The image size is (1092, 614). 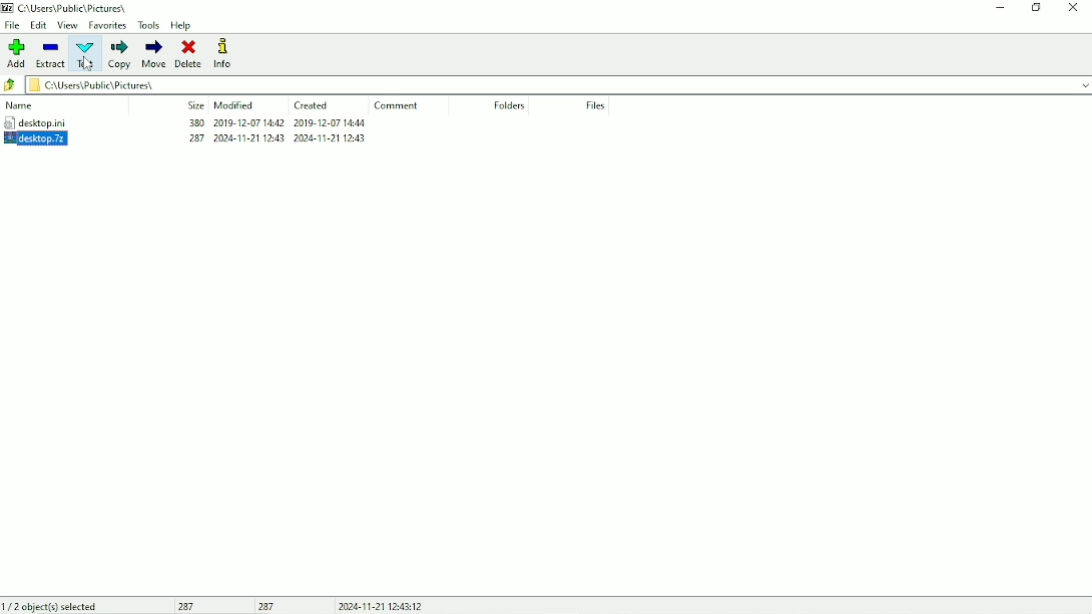 What do you see at coordinates (12, 25) in the screenshot?
I see `File` at bounding box center [12, 25].